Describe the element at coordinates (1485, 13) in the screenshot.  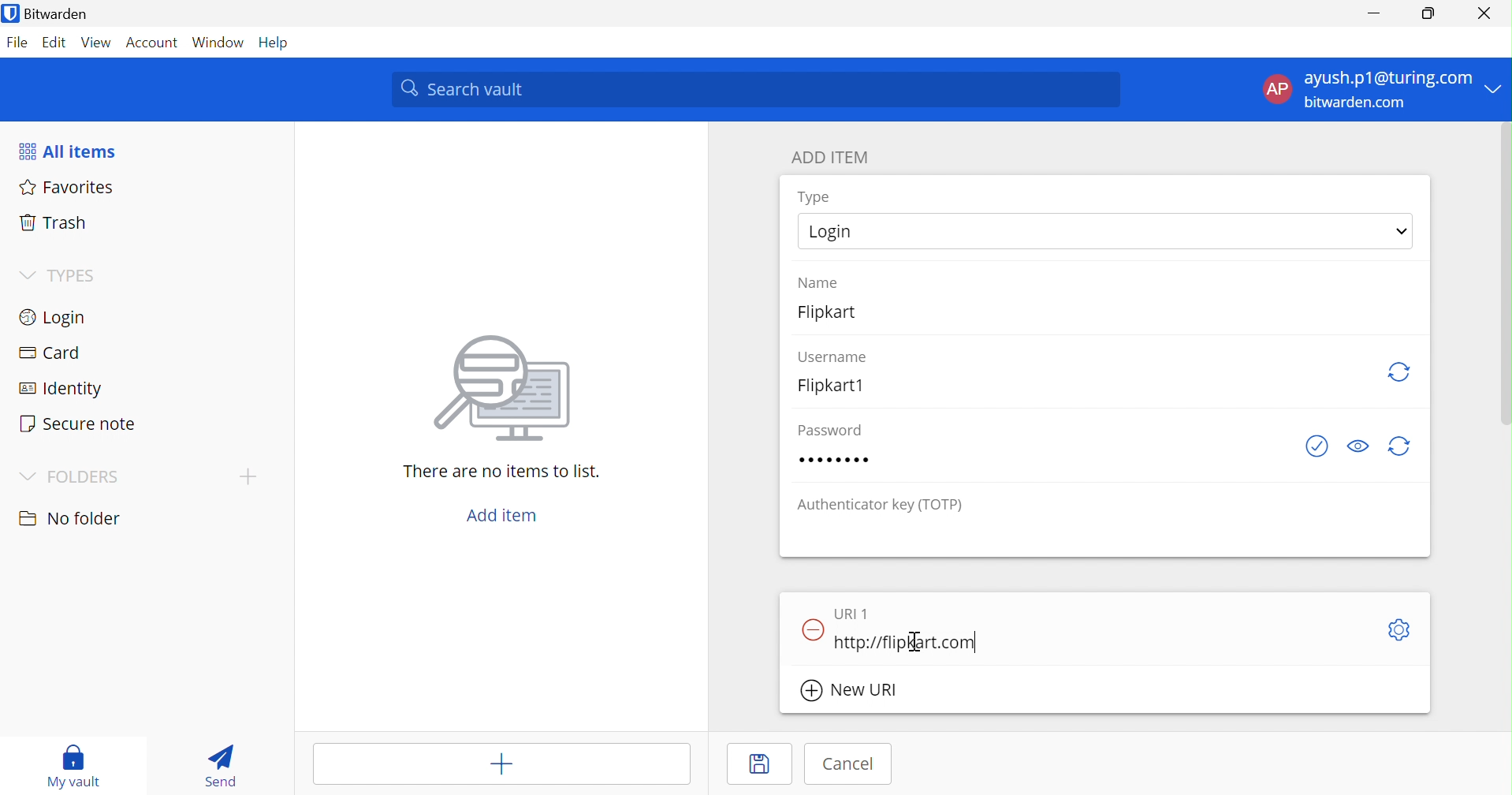
I see `Close` at that location.